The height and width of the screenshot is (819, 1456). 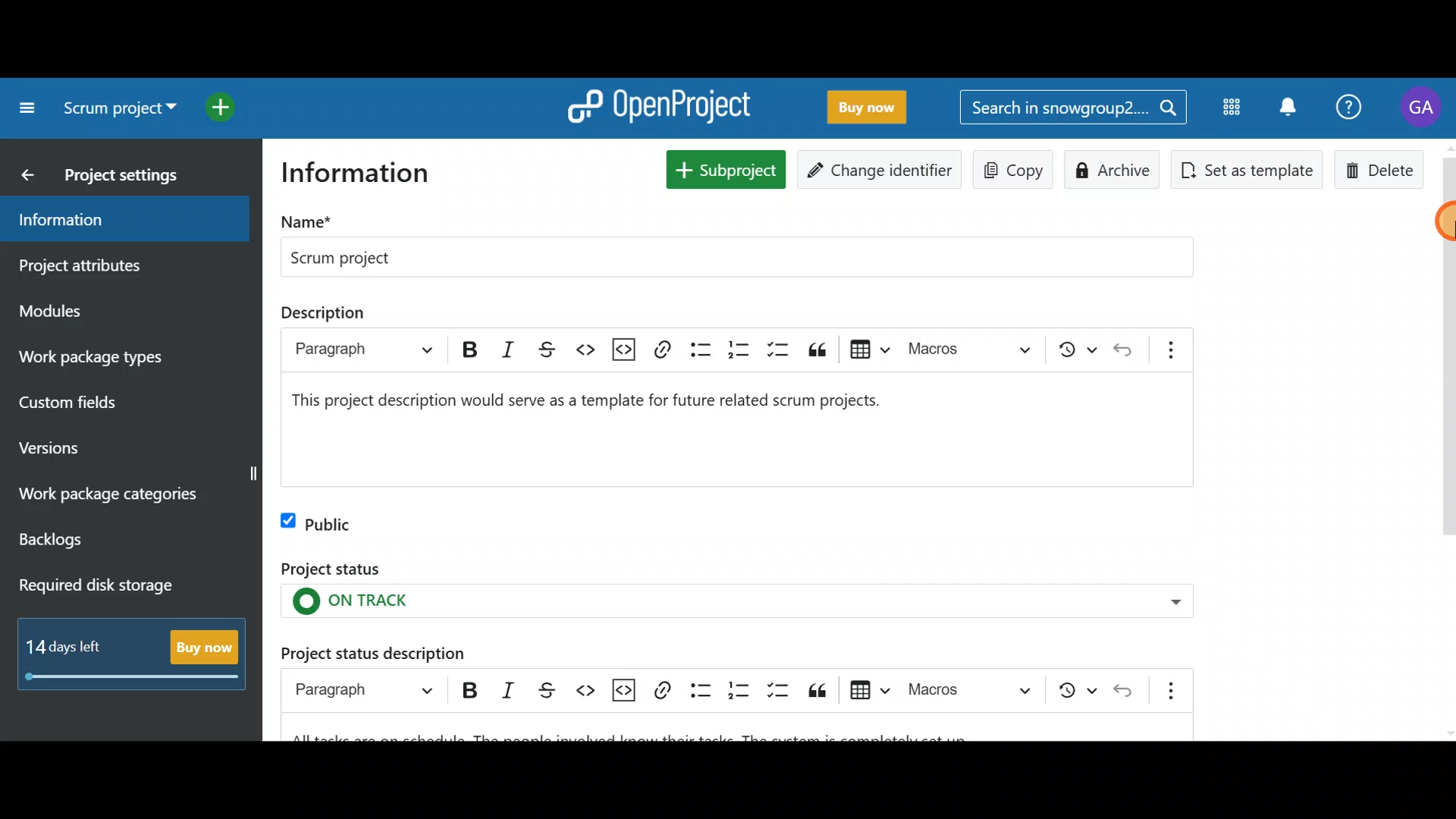 I want to click on Project settings, so click(x=115, y=173).